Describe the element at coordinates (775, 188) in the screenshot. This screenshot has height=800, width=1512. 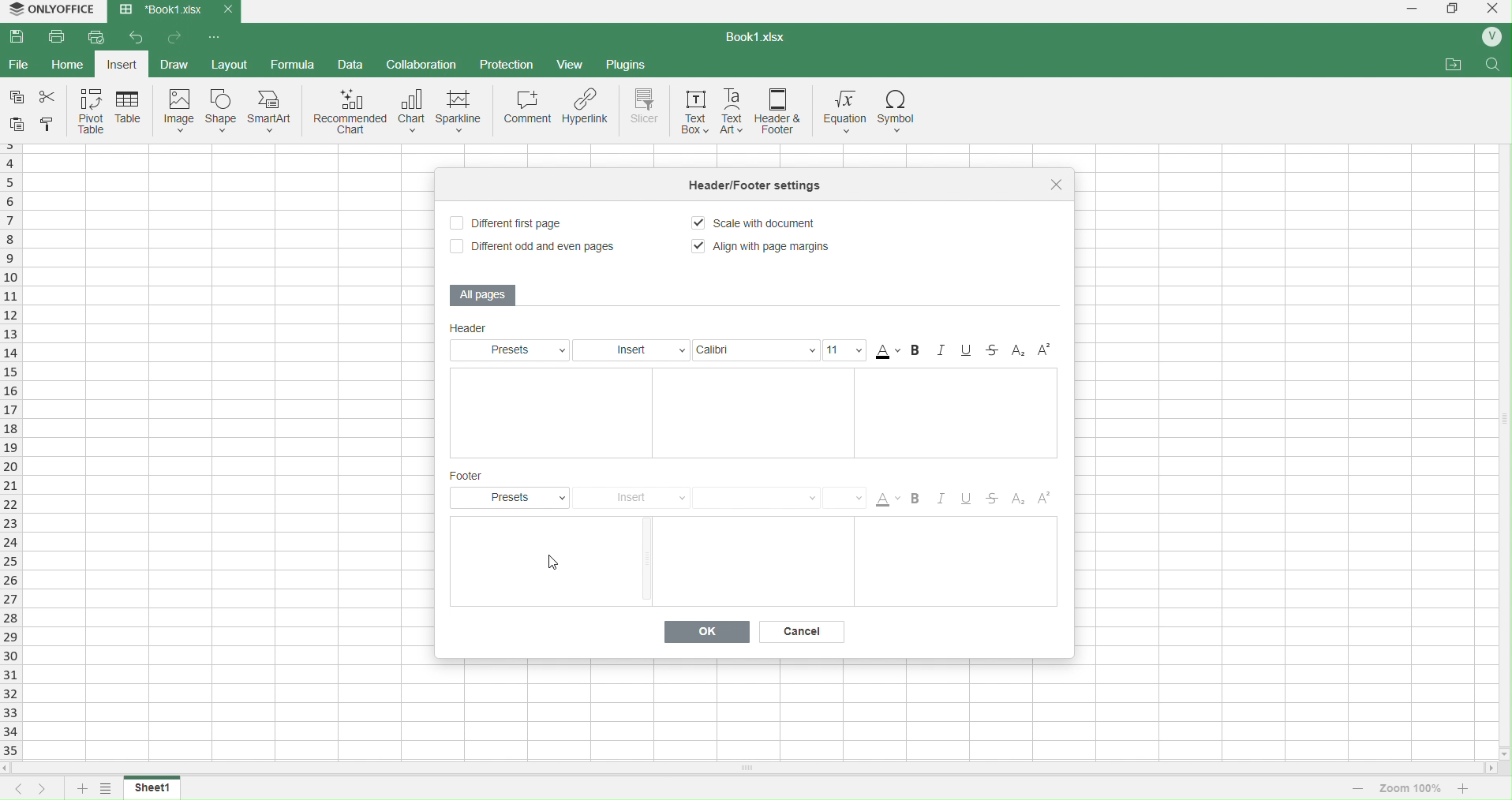
I see `tittle` at that location.